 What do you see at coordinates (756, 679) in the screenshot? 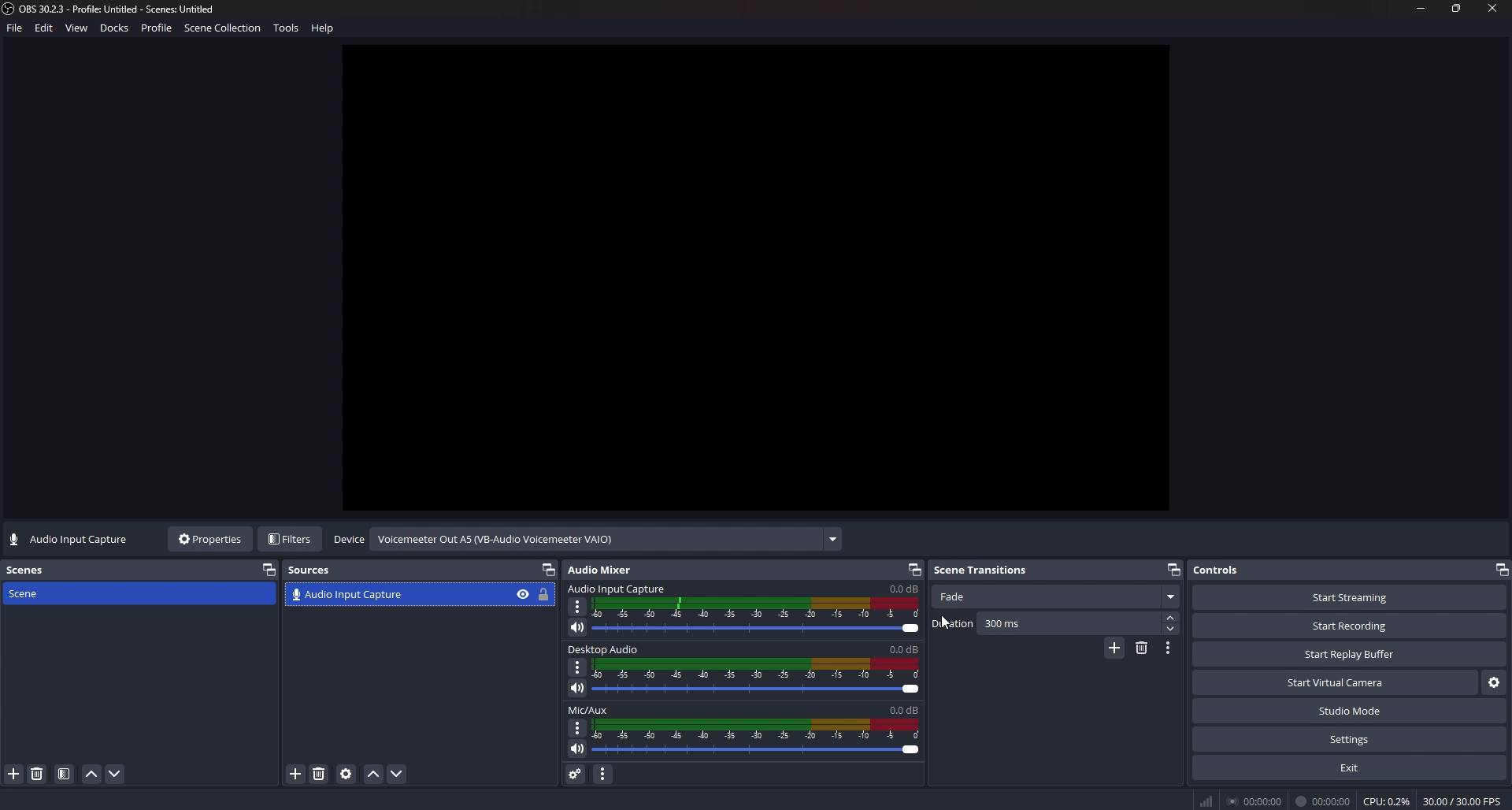
I see `volume adjust` at bounding box center [756, 679].